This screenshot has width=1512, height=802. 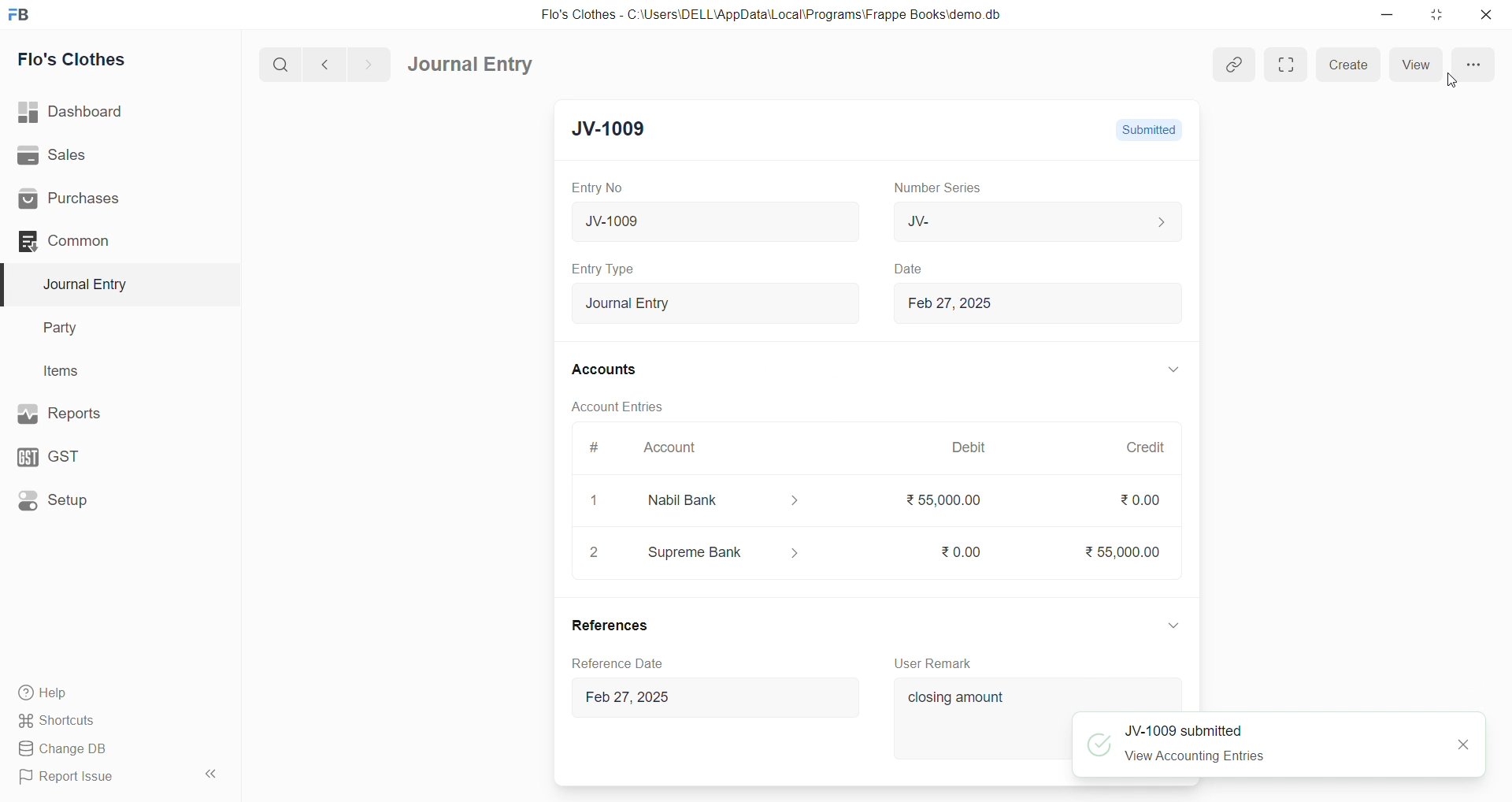 I want to click on expand/collapse, so click(x=1171, y=625).